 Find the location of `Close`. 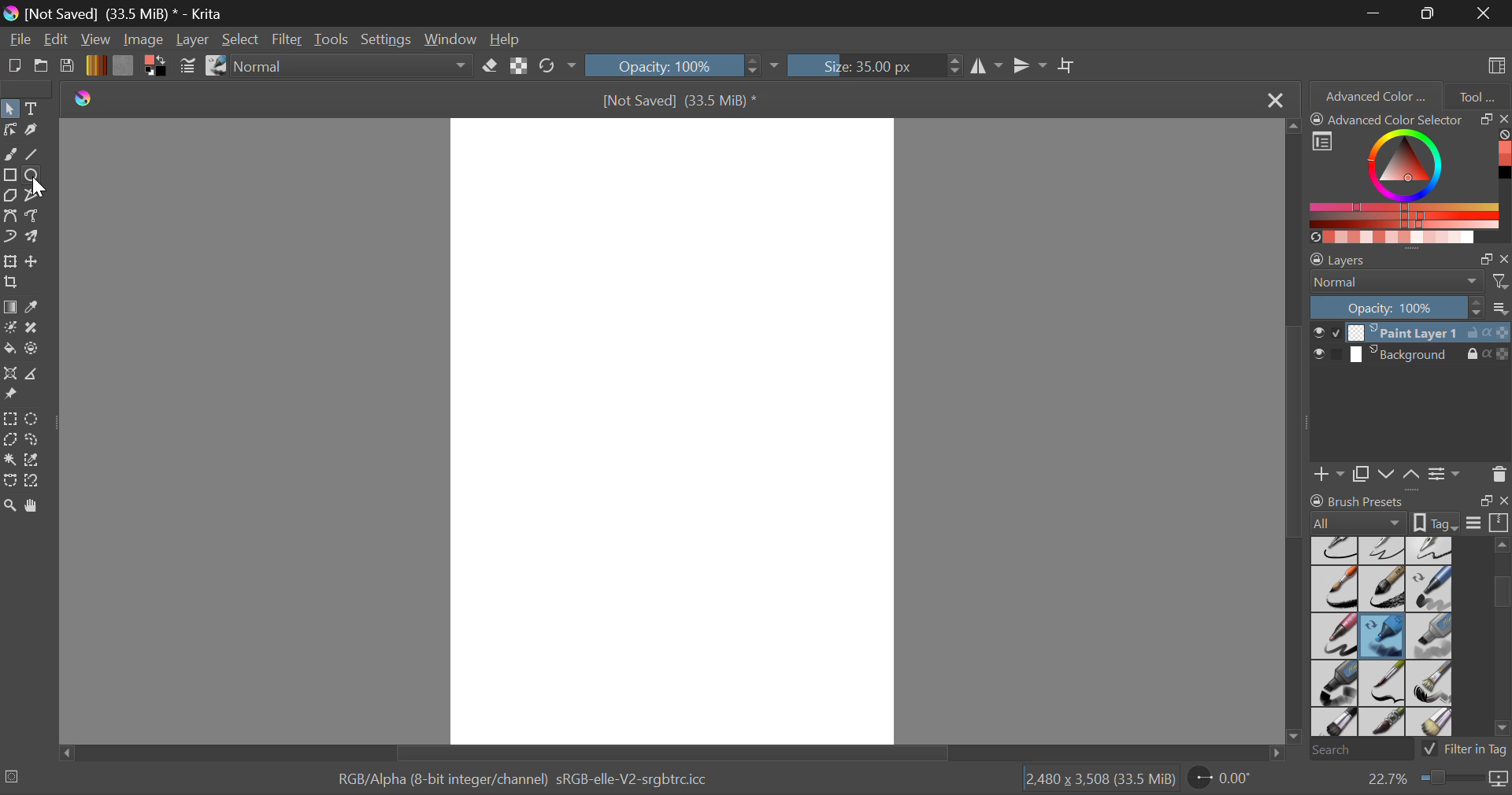

Close is located at coordinates (1484, 13).